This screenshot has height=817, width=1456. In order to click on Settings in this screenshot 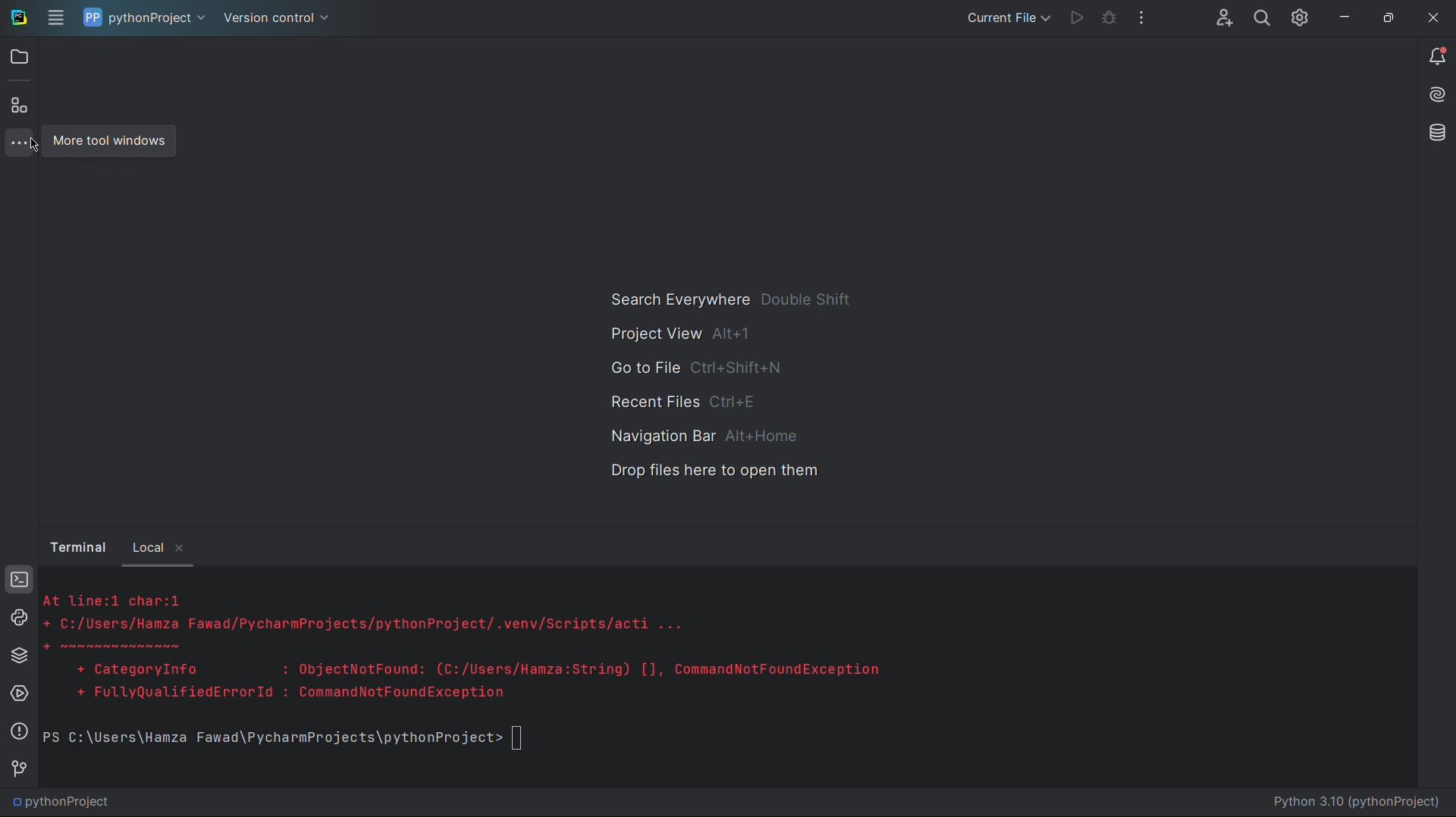, I will do `click(1301, 17)`.